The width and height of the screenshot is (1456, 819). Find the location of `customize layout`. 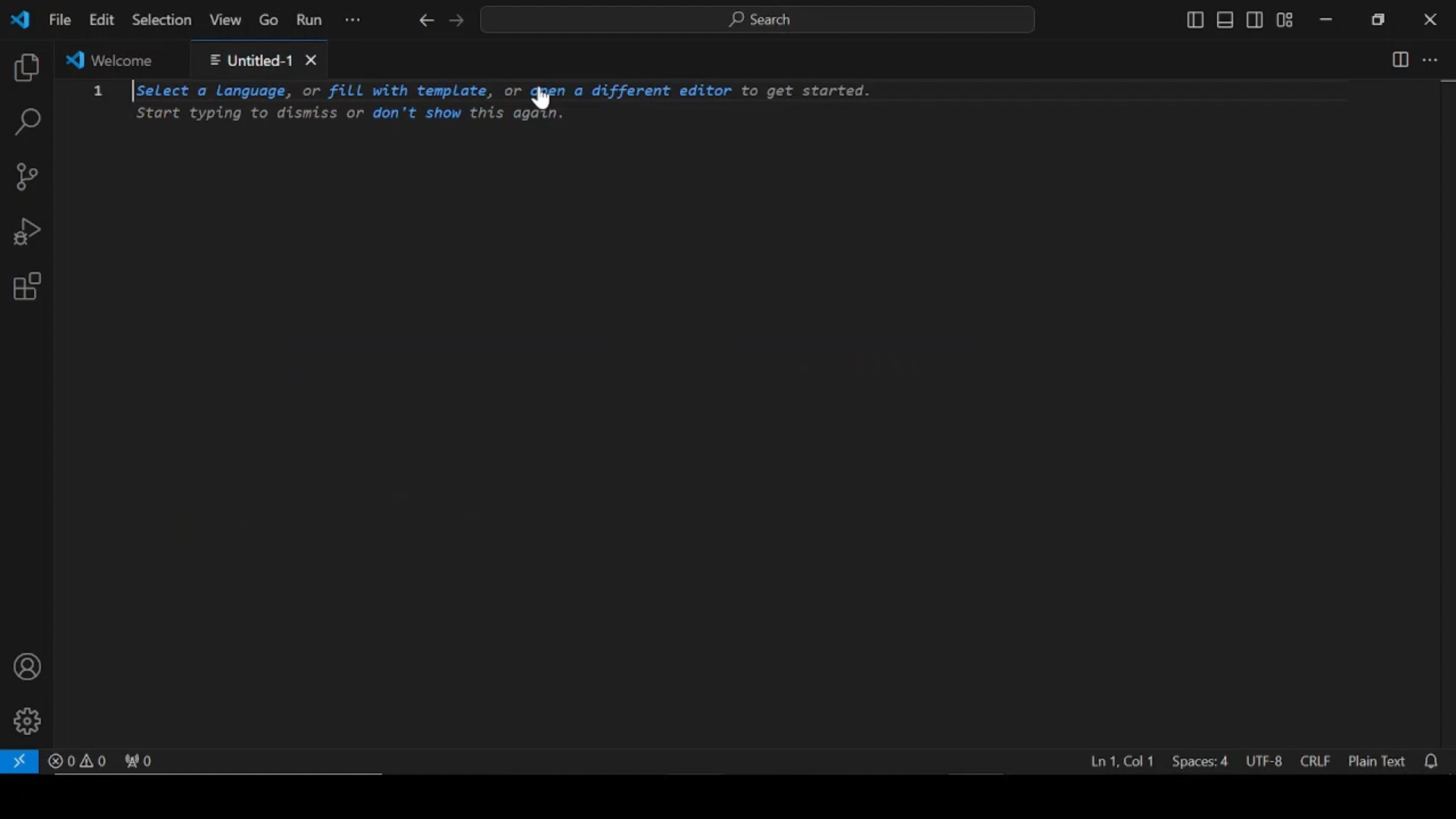

customize layout is located at coordinates (1285, 20).